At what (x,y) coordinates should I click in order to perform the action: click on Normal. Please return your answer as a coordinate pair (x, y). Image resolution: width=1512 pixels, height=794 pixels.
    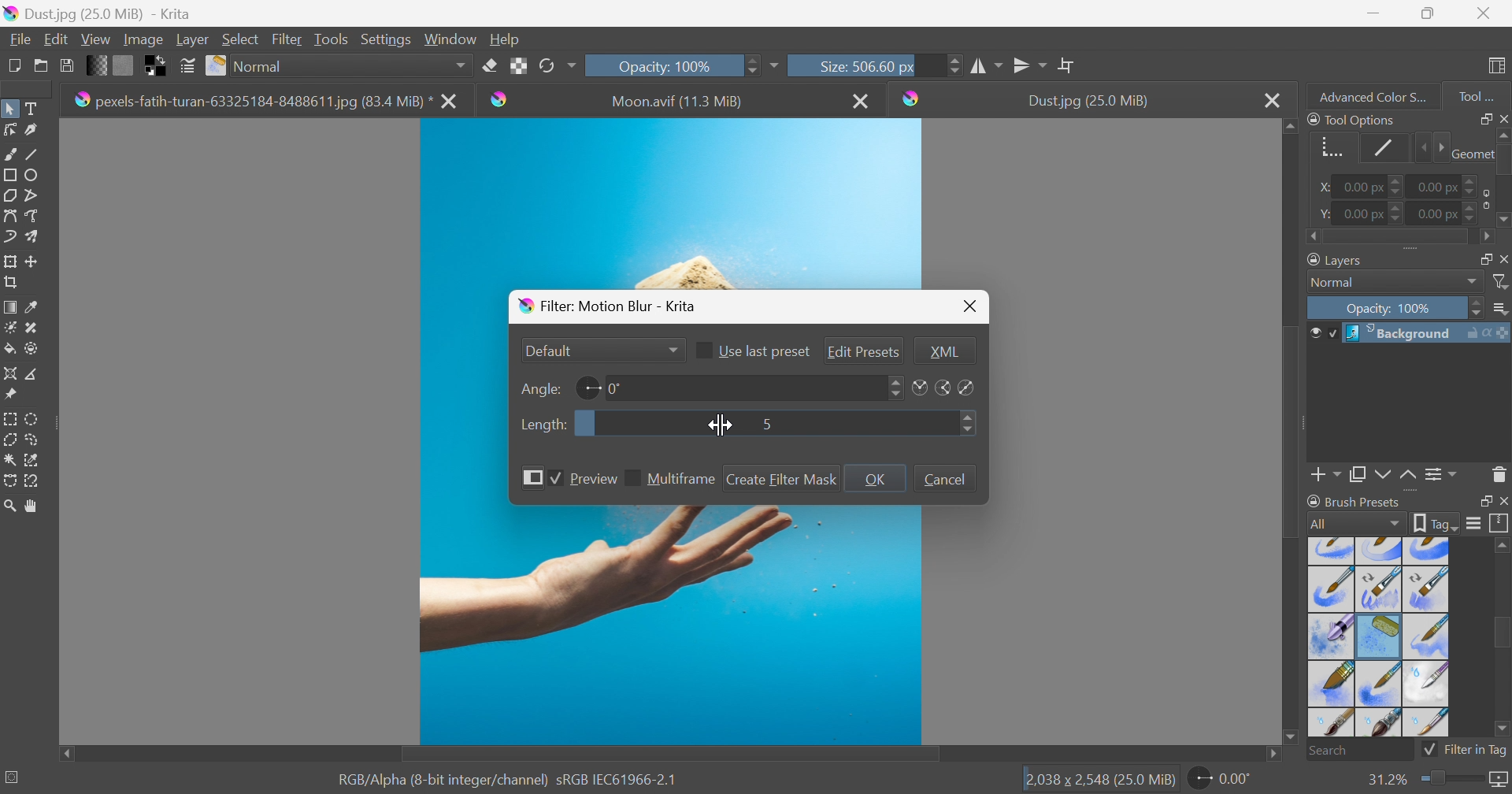
    Looking at the image, I should click on (1337, 283).